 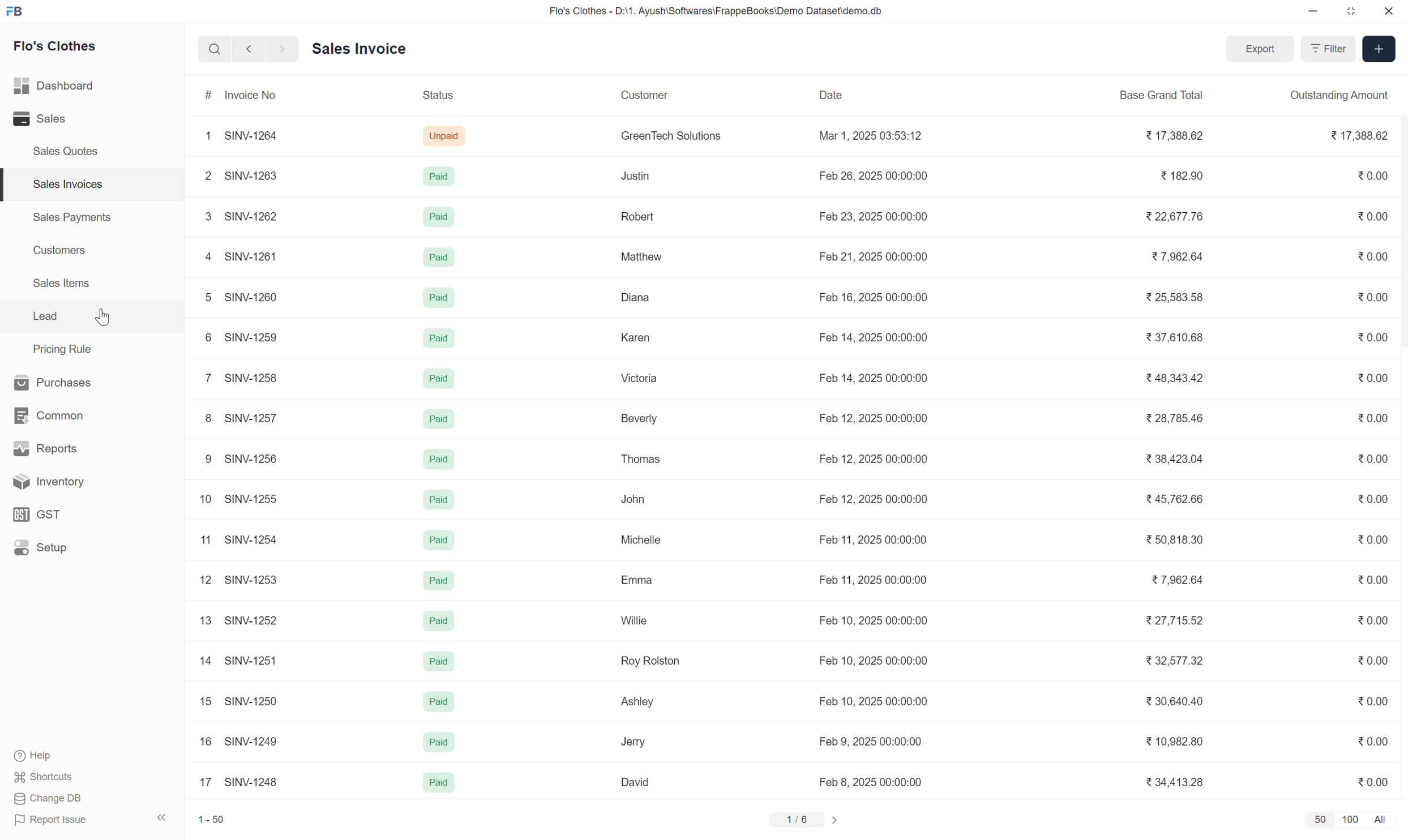 What do you see at coordinates (202, 377) in the screenshot?
I see `7` at bounding box center [202, 377].